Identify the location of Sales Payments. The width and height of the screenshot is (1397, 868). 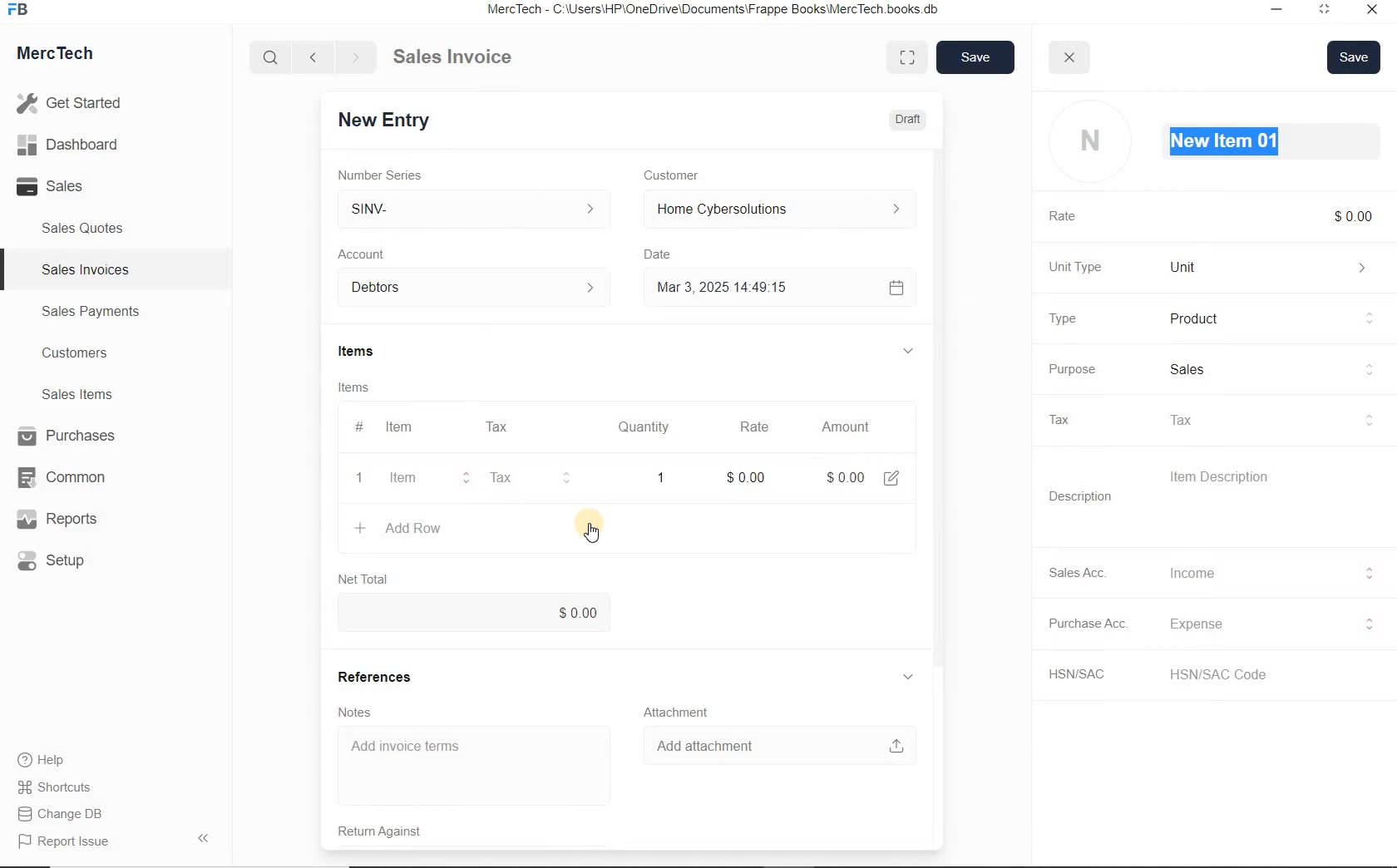
(88, 312).